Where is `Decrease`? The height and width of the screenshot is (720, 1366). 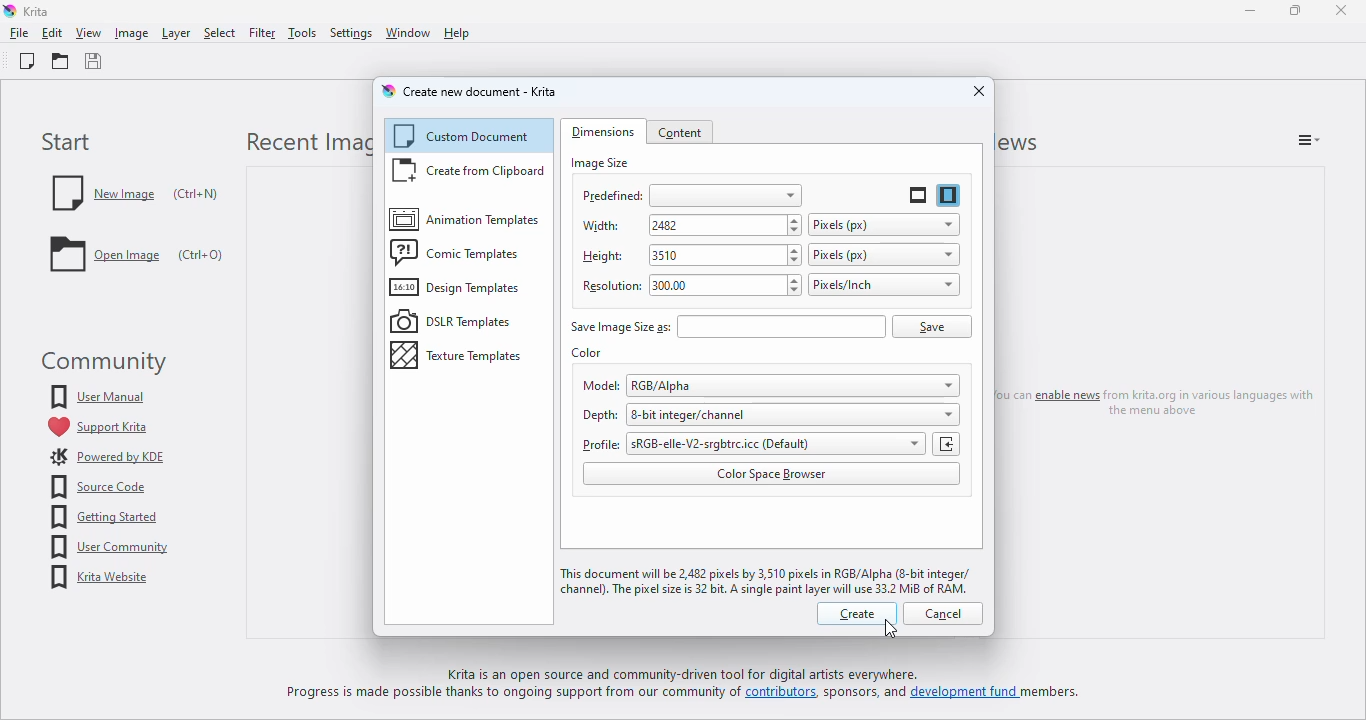 Decrease is located at coordinates (791, 262).